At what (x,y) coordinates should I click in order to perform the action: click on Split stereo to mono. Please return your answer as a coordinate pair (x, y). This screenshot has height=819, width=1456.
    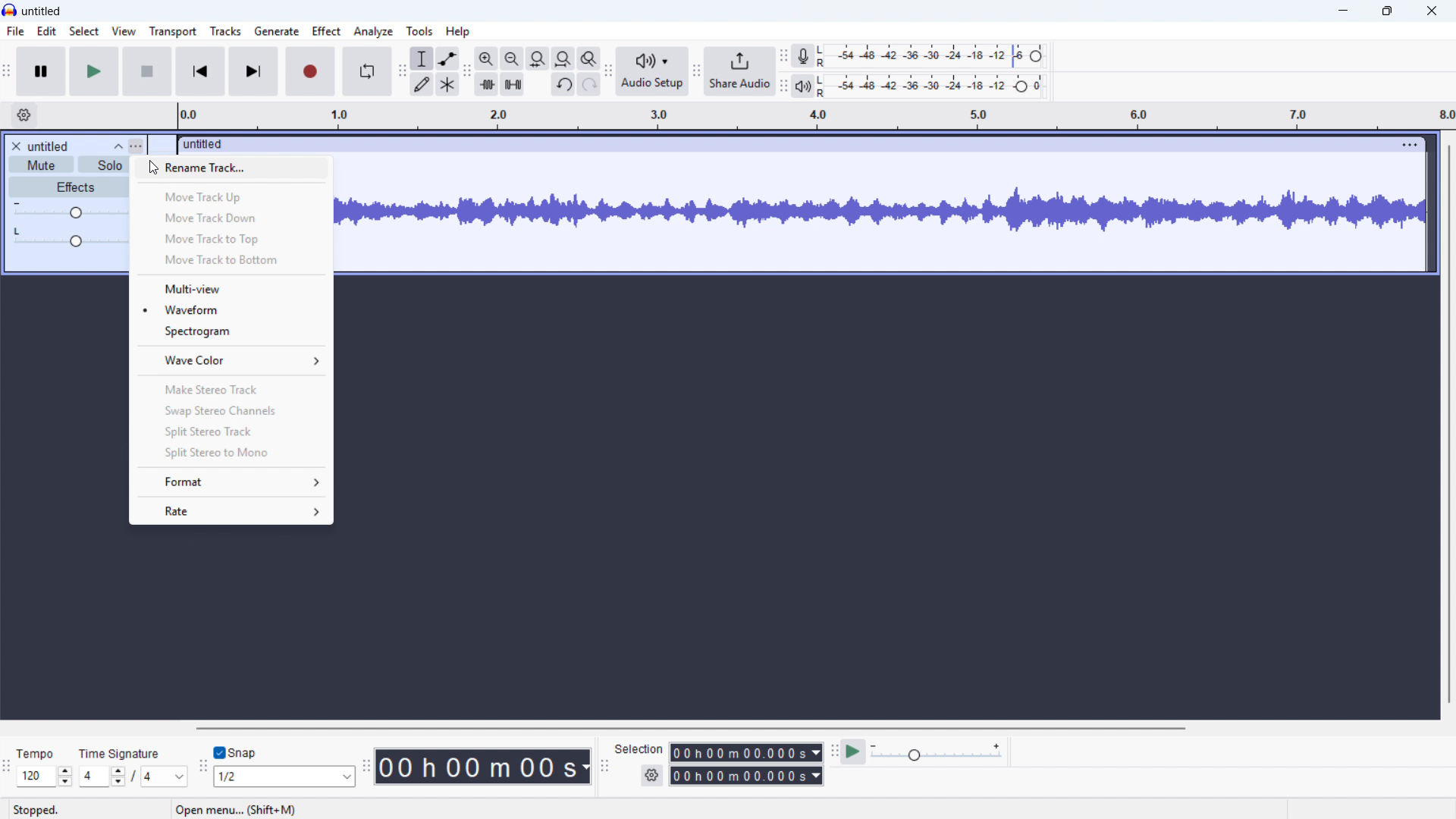
    Looking at the image, I should click on (230, 451).